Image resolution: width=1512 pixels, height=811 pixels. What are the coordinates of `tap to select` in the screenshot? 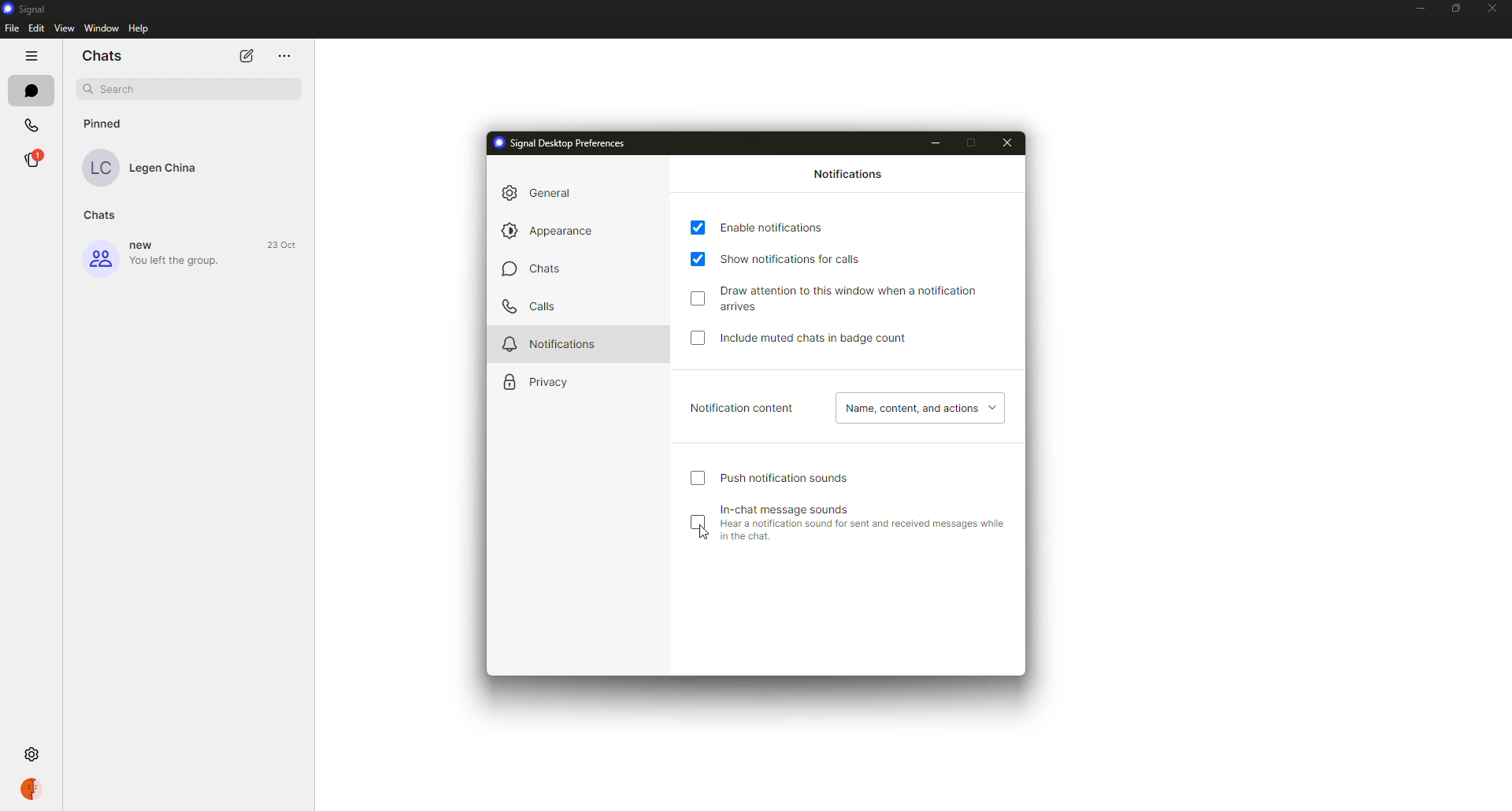 It's located at (697, 298).